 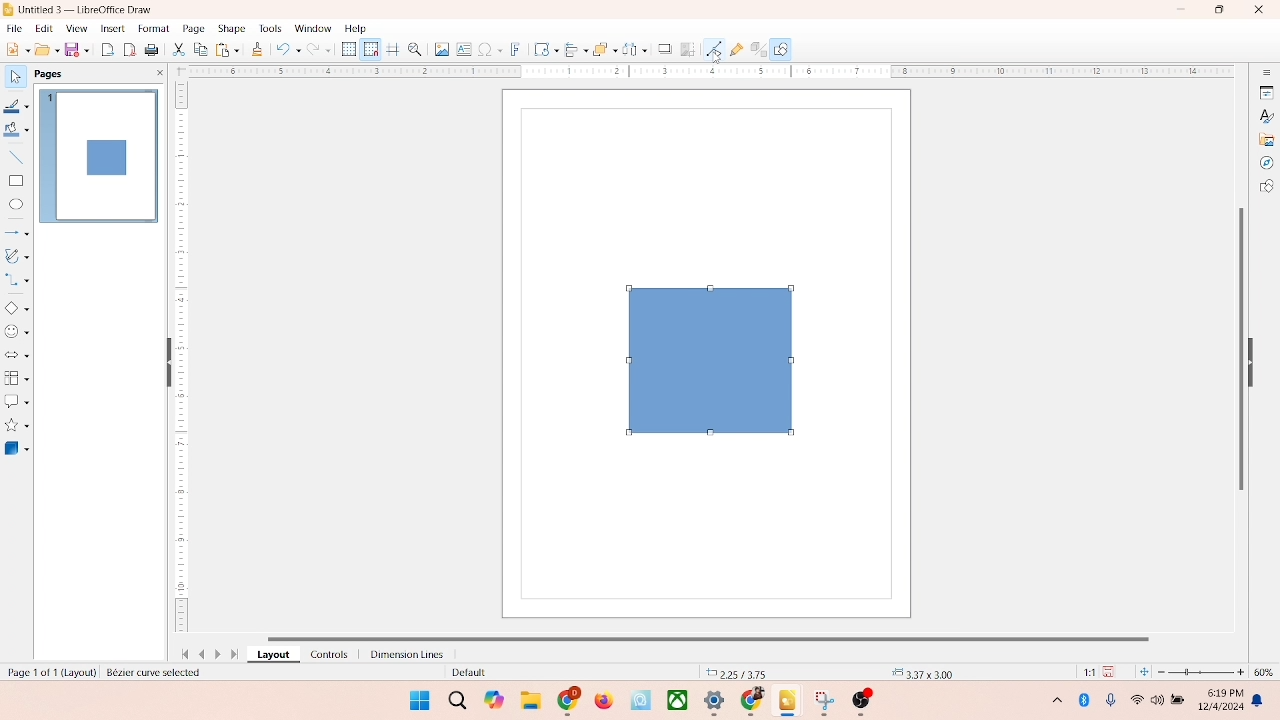 I want to click on redo, so click(x=323, y=51).